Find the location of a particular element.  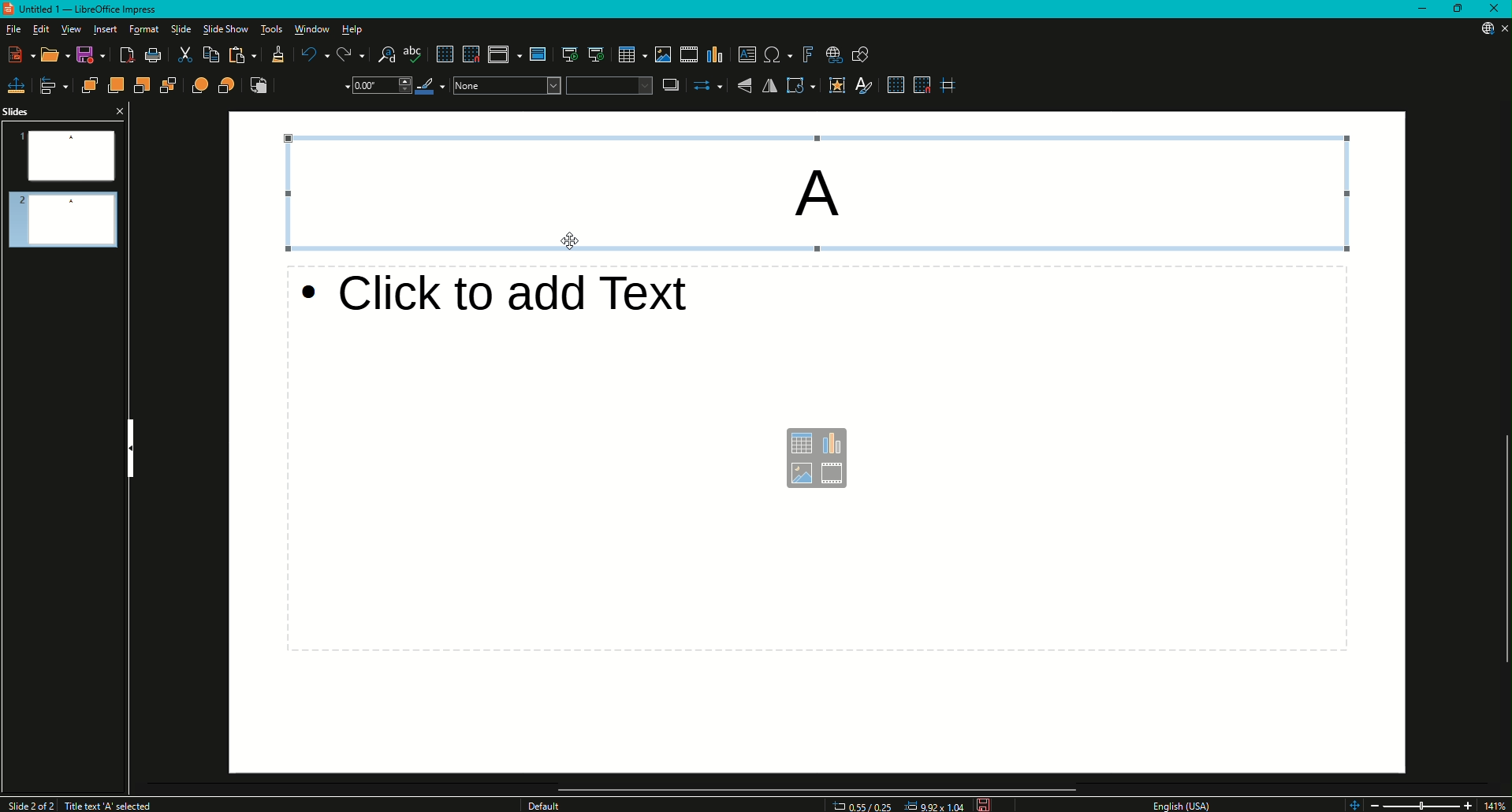

Drop Down is located at coordinates (378, 89).